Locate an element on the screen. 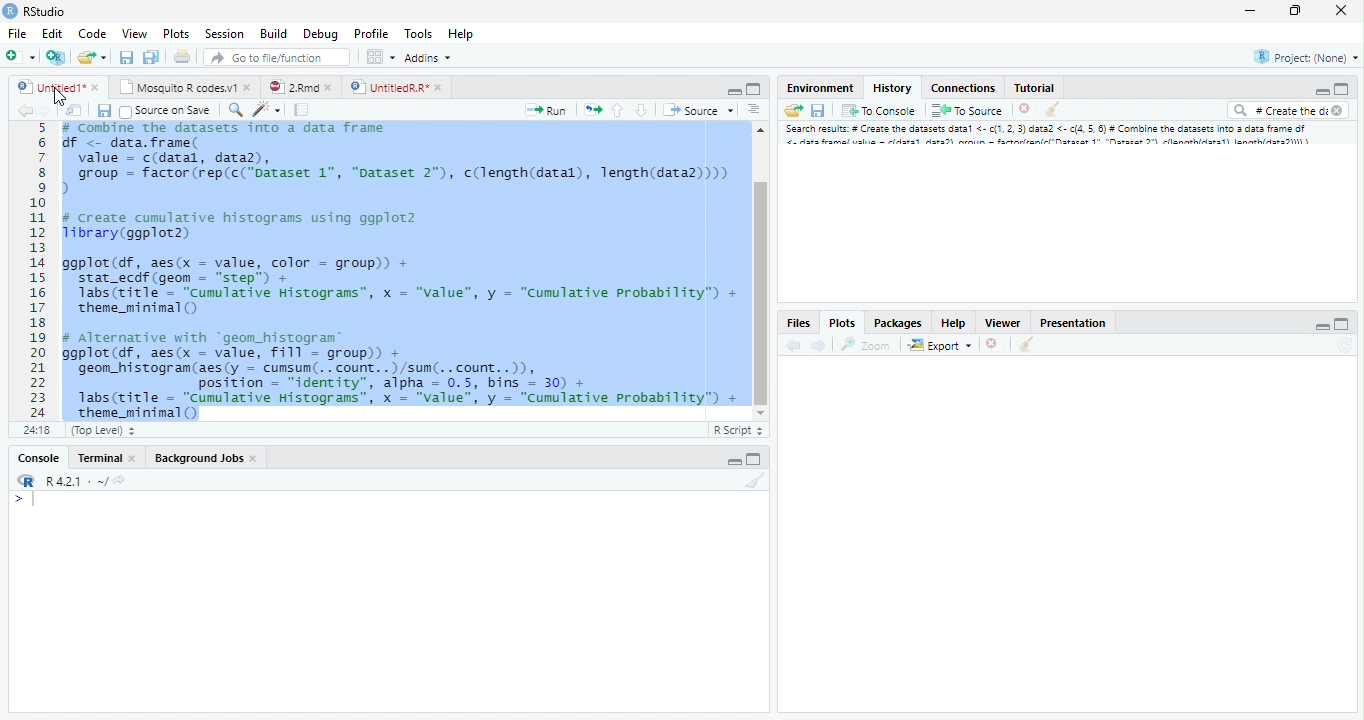  New file is located at coordinates (20, 55).